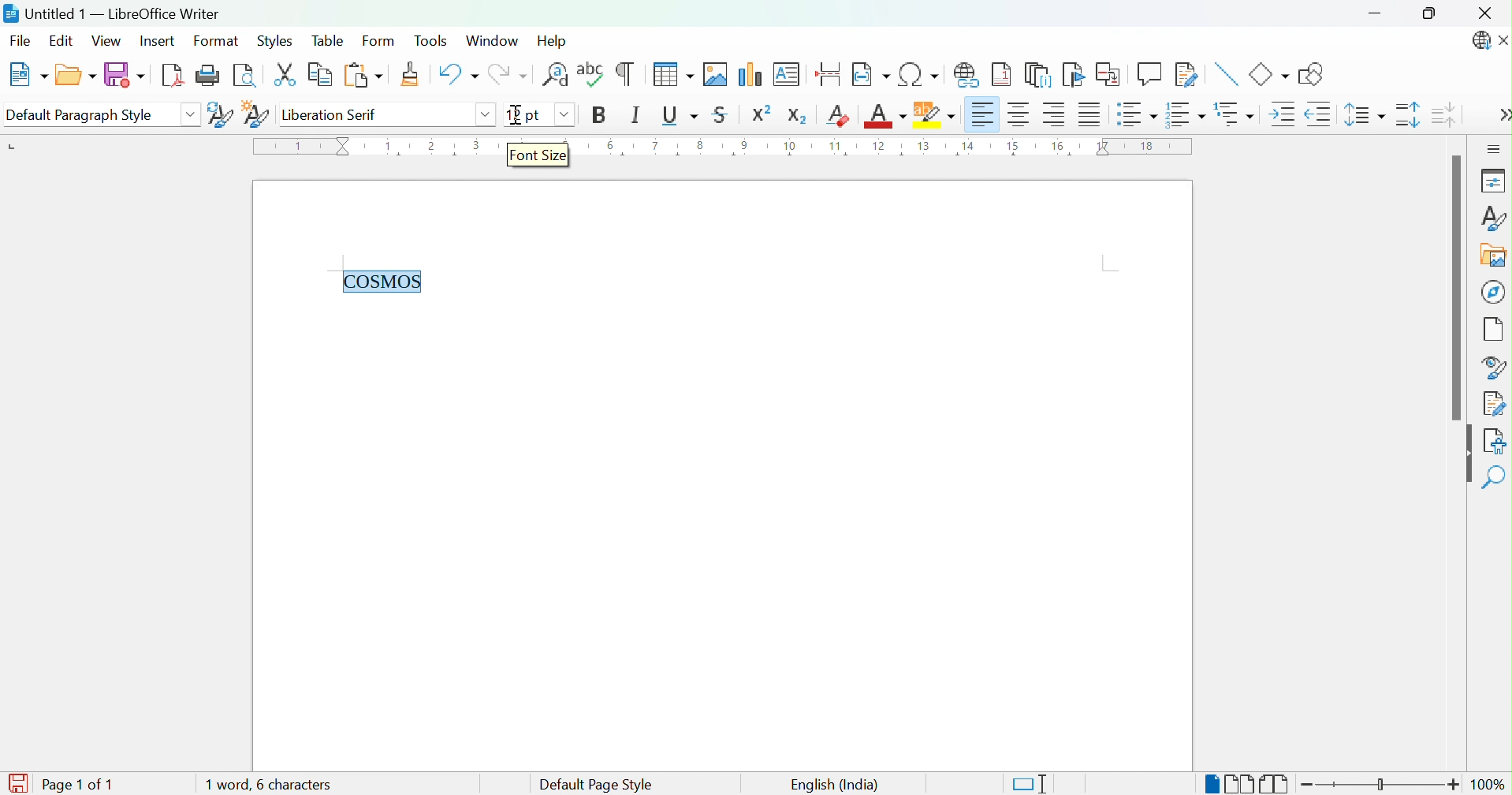 This screenshot has height=795, width=1512. I want to click on Insert Bookmark, so click(1074, 75).